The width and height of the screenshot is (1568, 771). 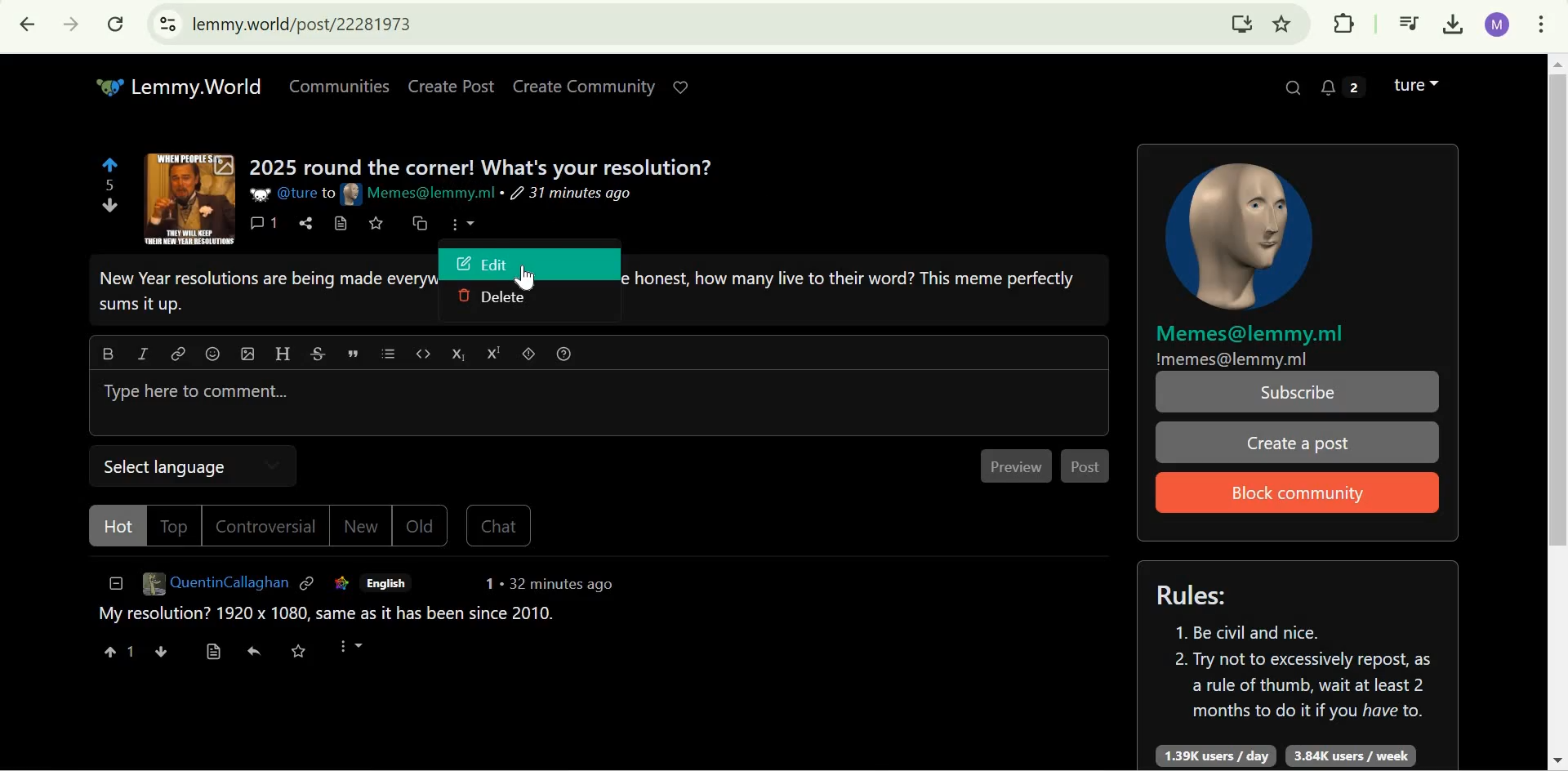 I want to click on English, so click(x=389, y=584).